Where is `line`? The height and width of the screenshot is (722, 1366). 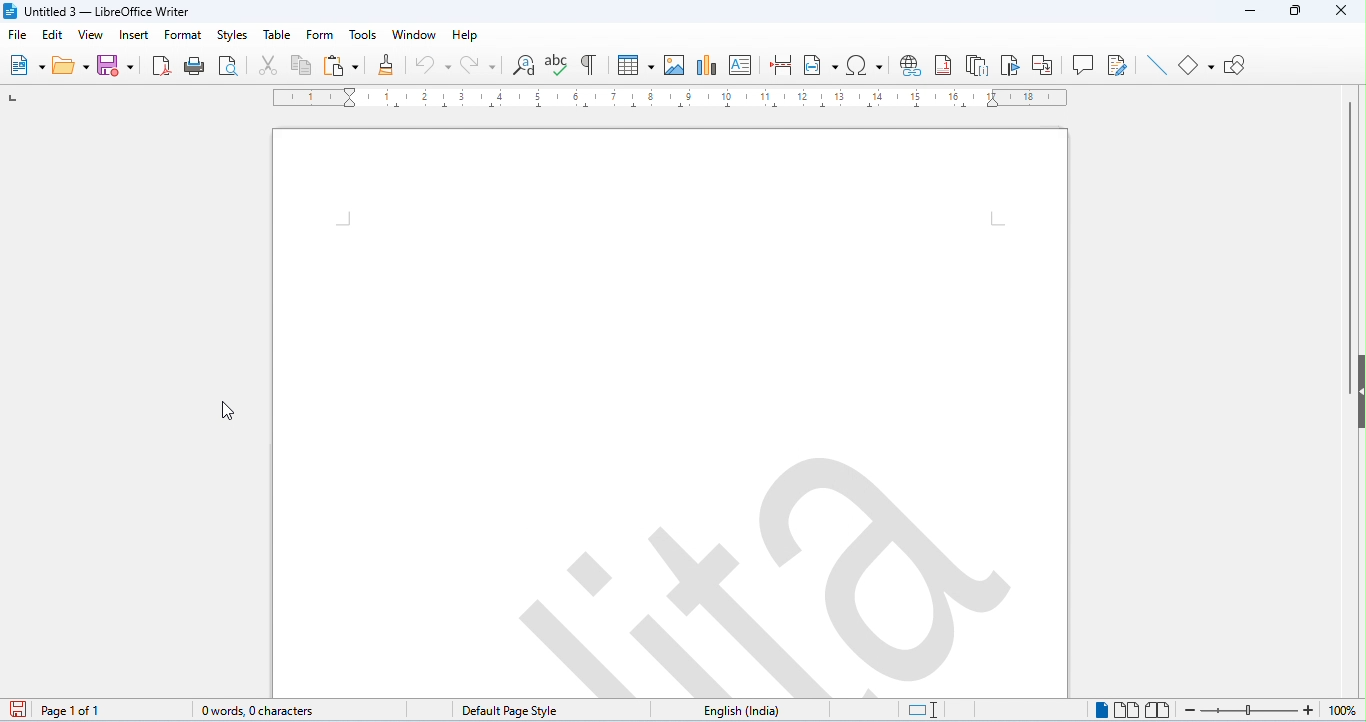
line is located at coordinates (1157, 65).